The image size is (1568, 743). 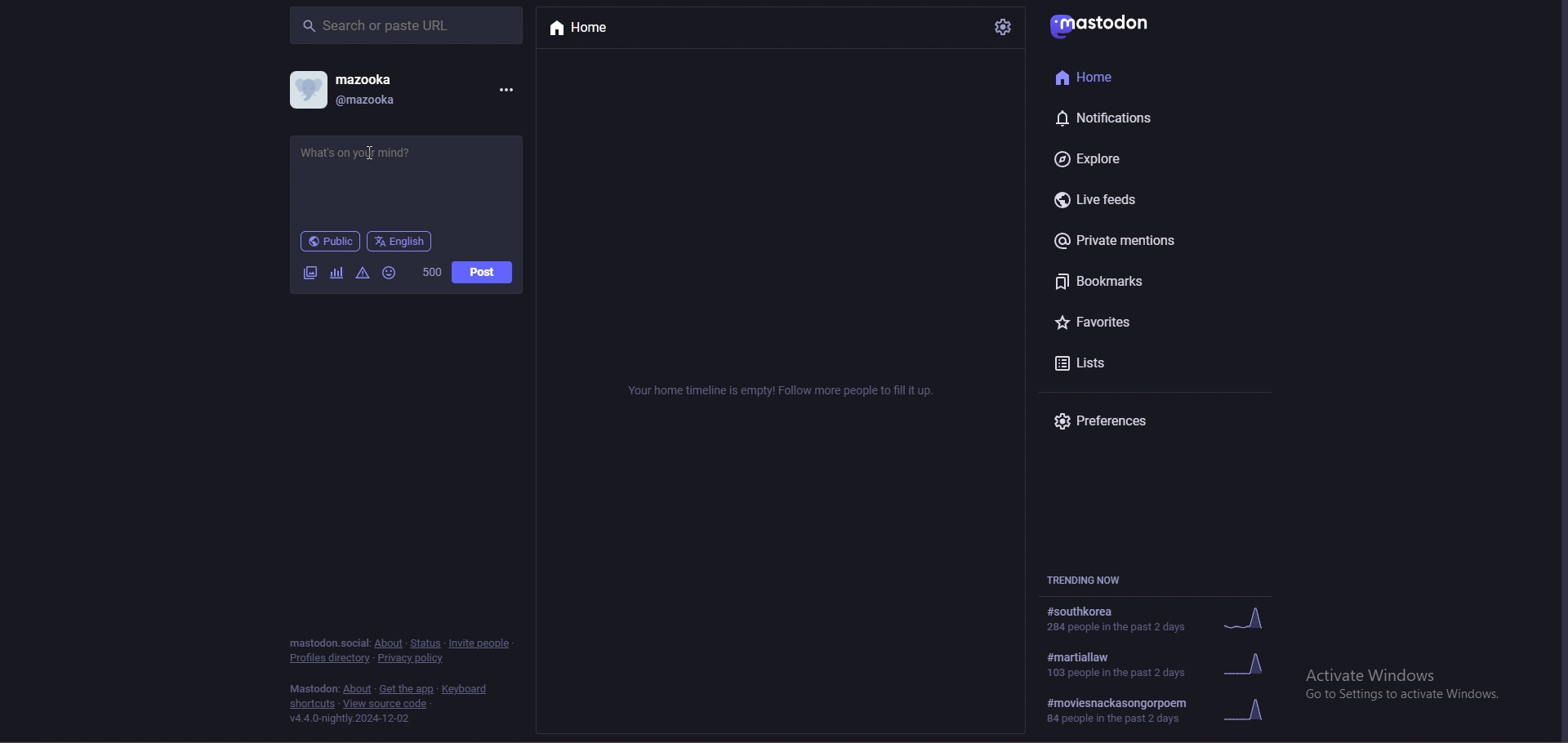 I want to click on trending, so click(x=1156, y=618).